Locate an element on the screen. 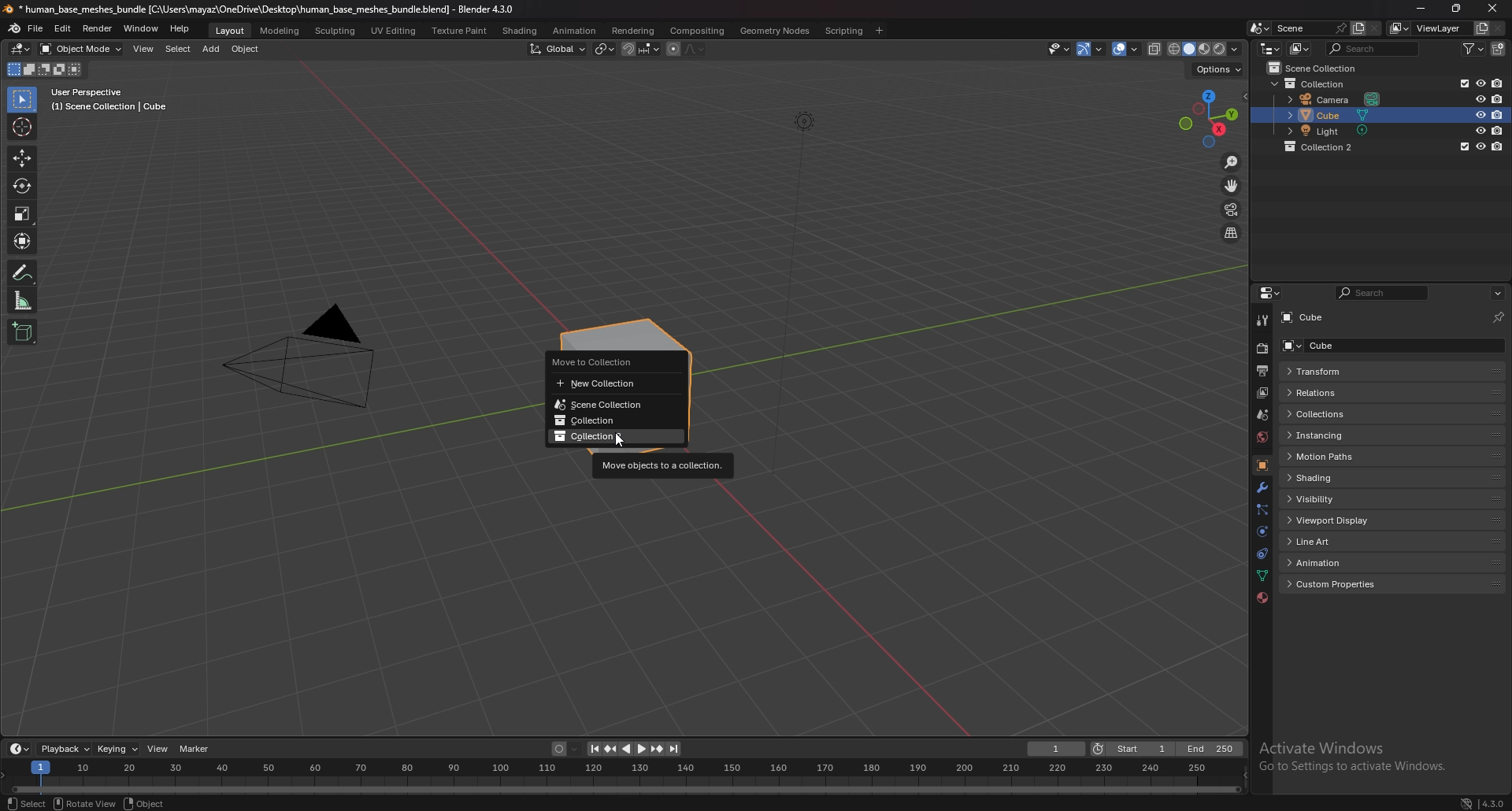  browse scene is located at coordinates (1260, 28).